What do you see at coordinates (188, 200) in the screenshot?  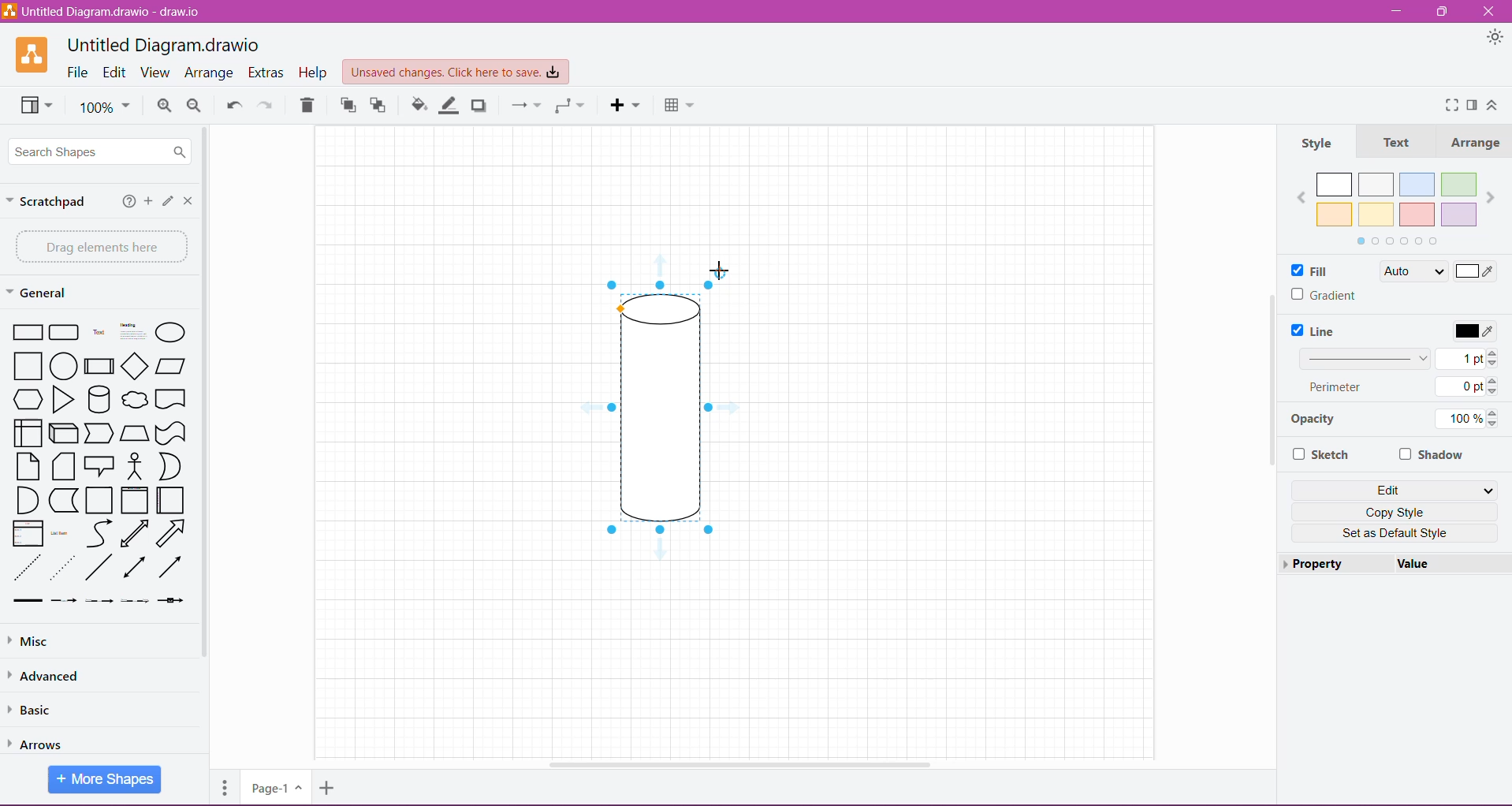 I see `Close` at bounding box center [188, 200].